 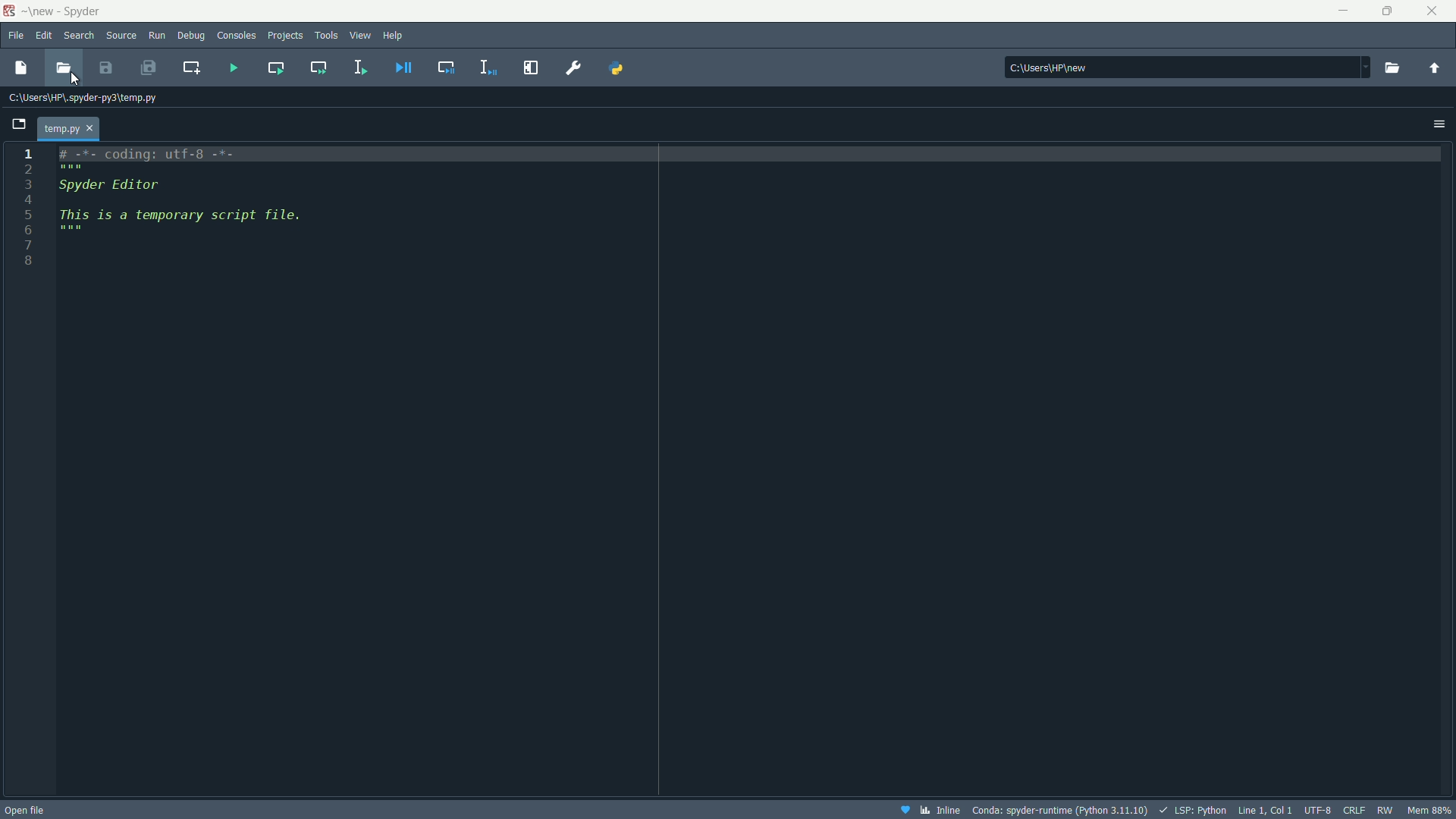 What do you see at coordinates (1354, 810) in the screenshot?
I see `file eol status` at bounding box center [1354, 810].